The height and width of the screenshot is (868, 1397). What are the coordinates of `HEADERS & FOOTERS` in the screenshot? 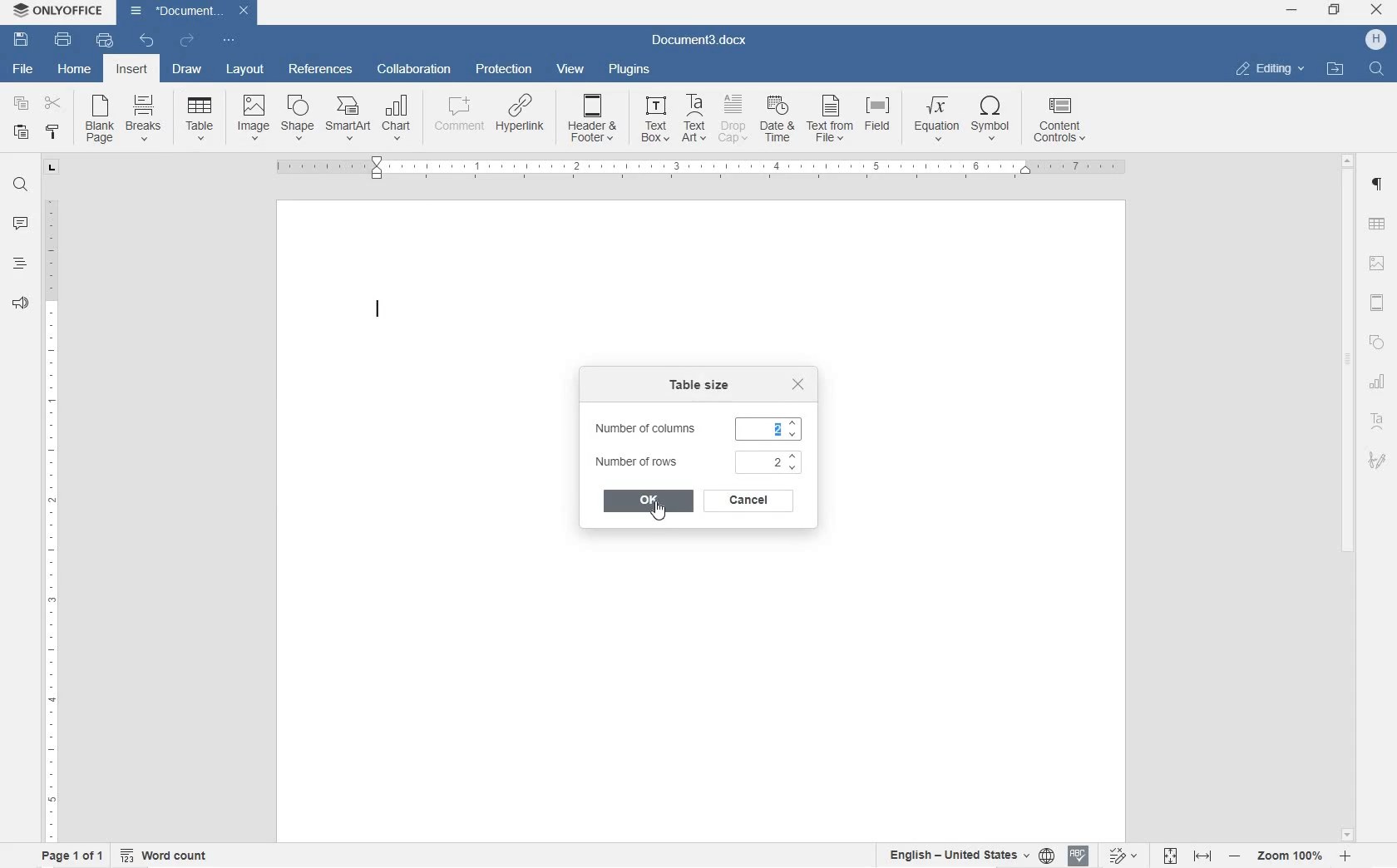 It's located at (1378, 304).